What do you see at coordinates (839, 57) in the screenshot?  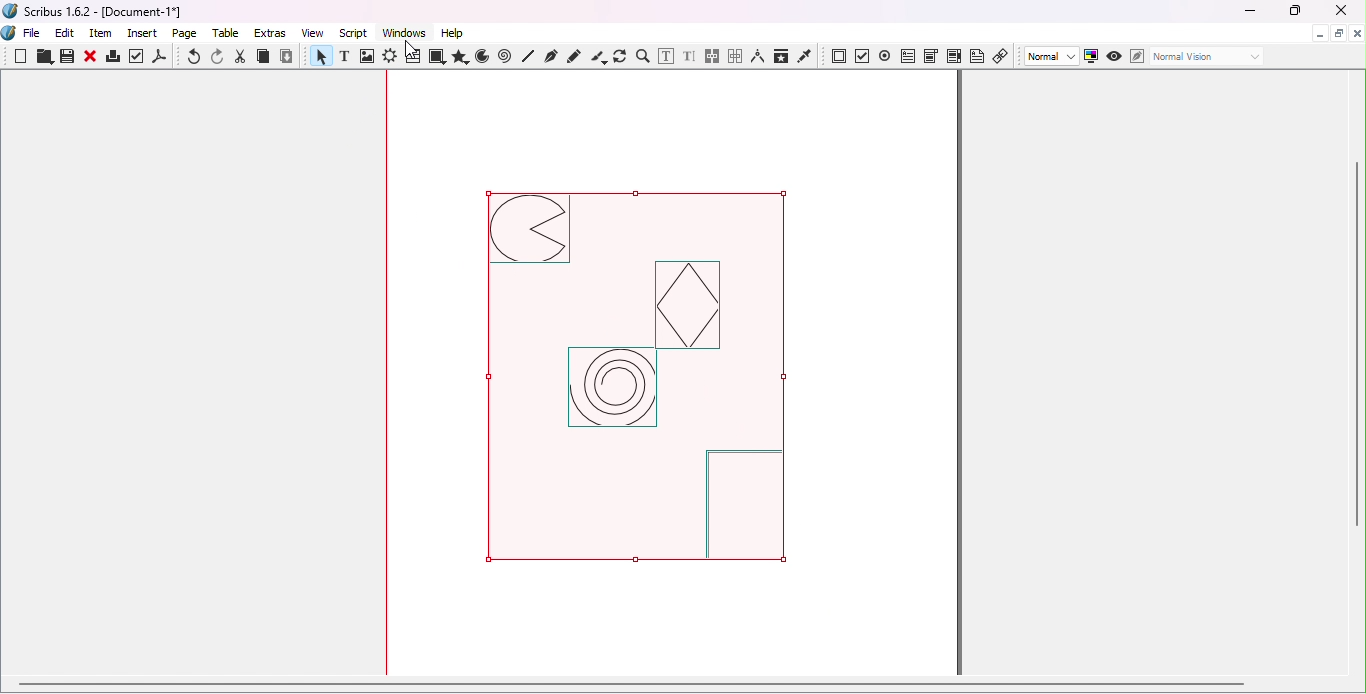 I see `PDF push button` at bounding box center [839, 57].